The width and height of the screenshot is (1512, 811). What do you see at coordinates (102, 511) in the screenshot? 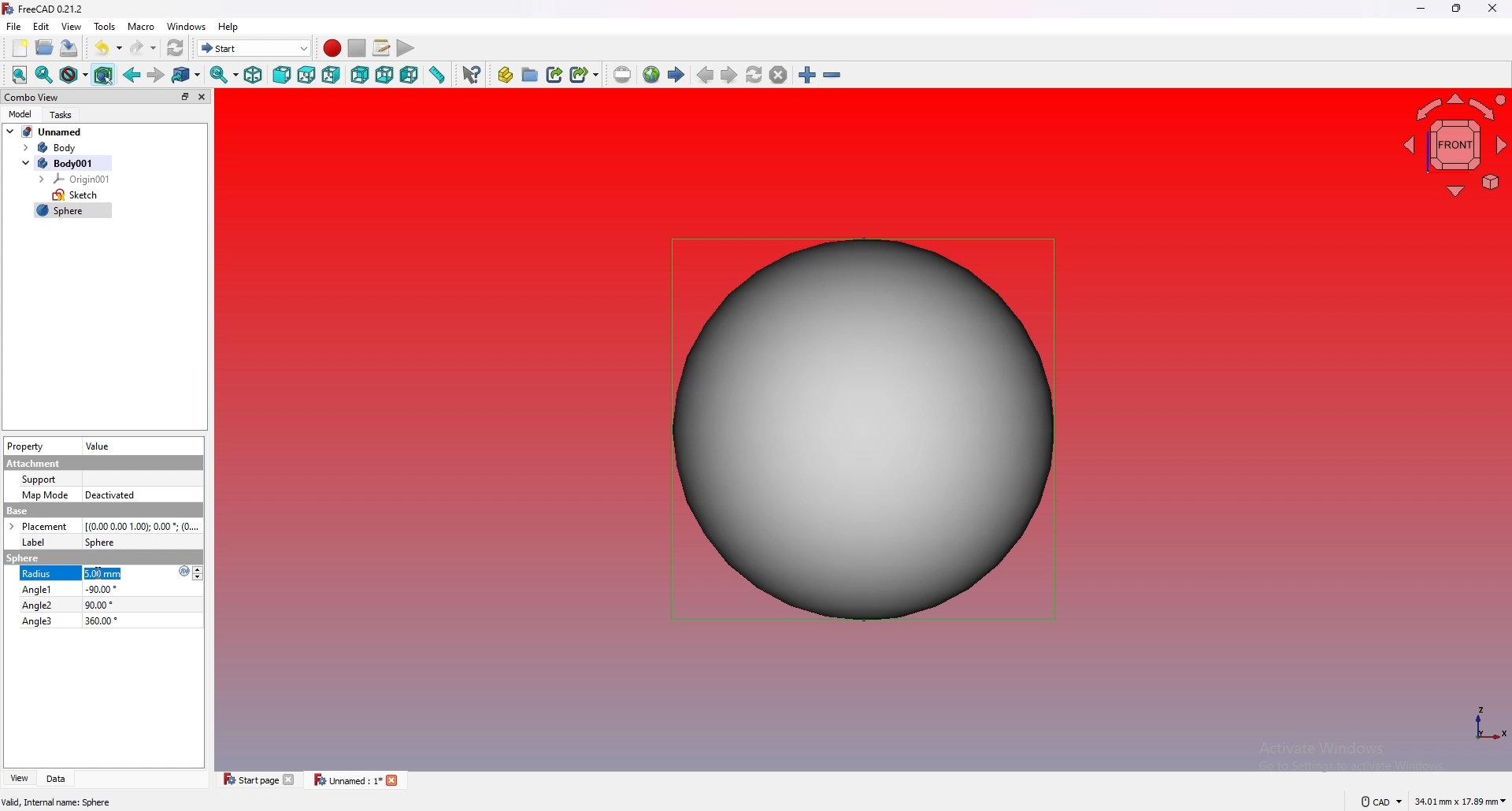
I see `base` at bounding box center [102, 511].